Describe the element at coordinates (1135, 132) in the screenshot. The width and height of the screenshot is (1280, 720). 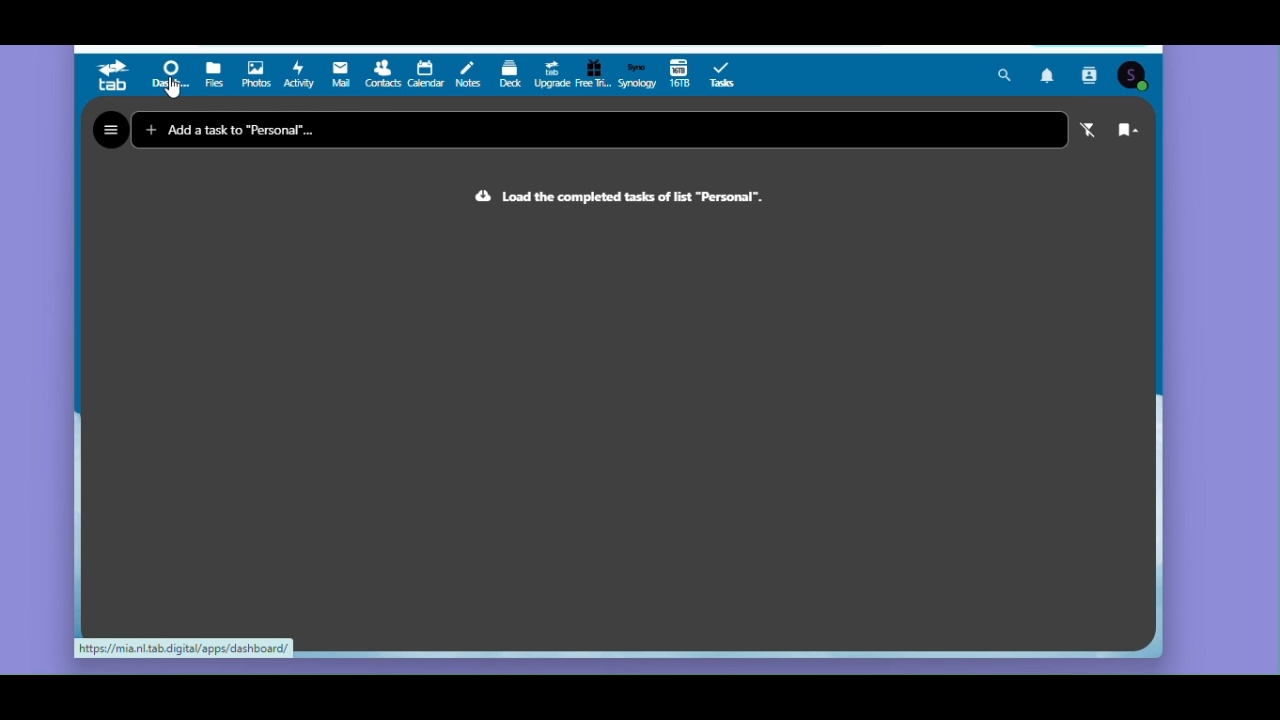
I see `Change sort order` at that location.